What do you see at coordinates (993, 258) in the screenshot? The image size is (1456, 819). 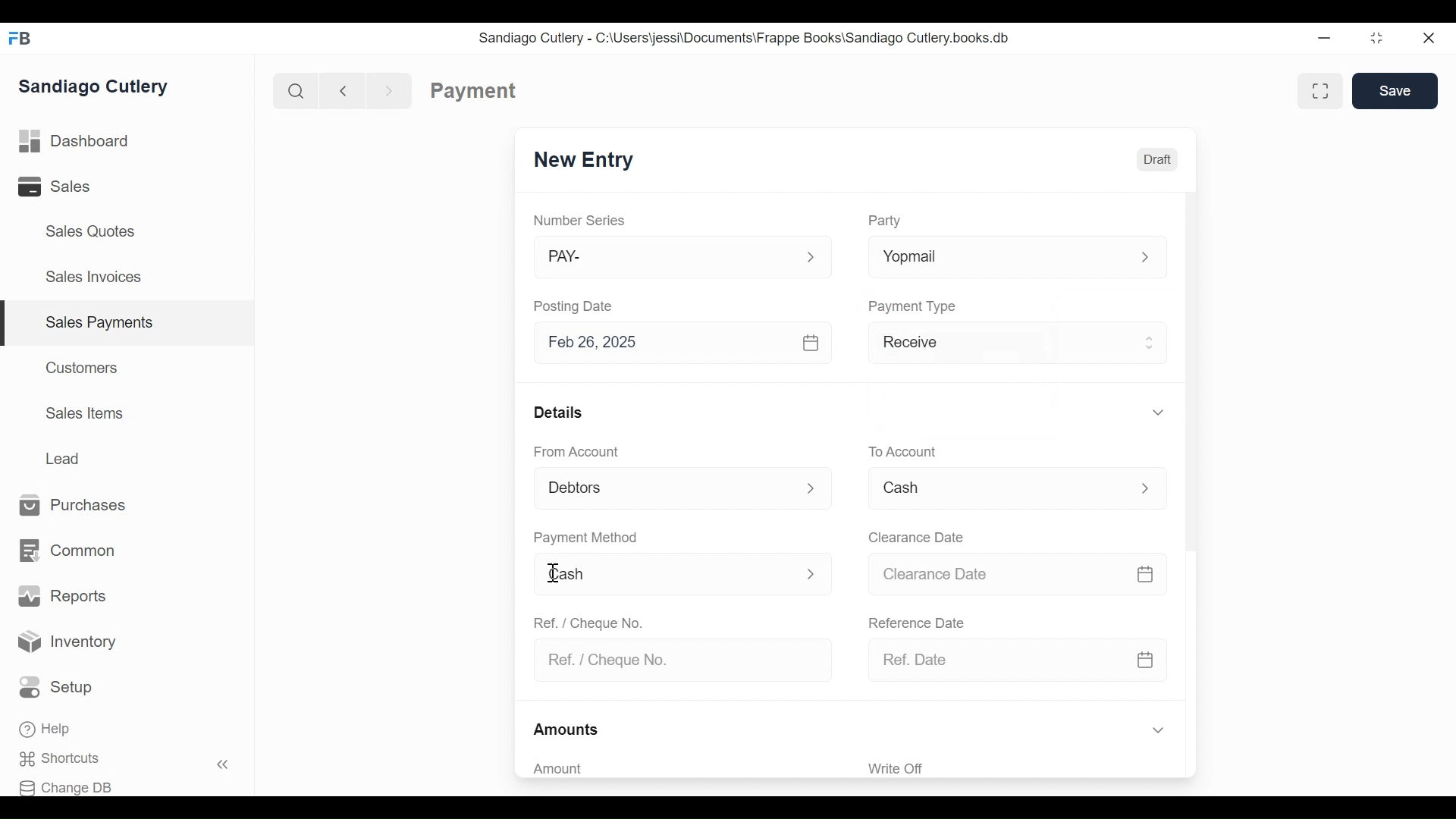 I see `Yopmail` at bounding box center [993, 258].